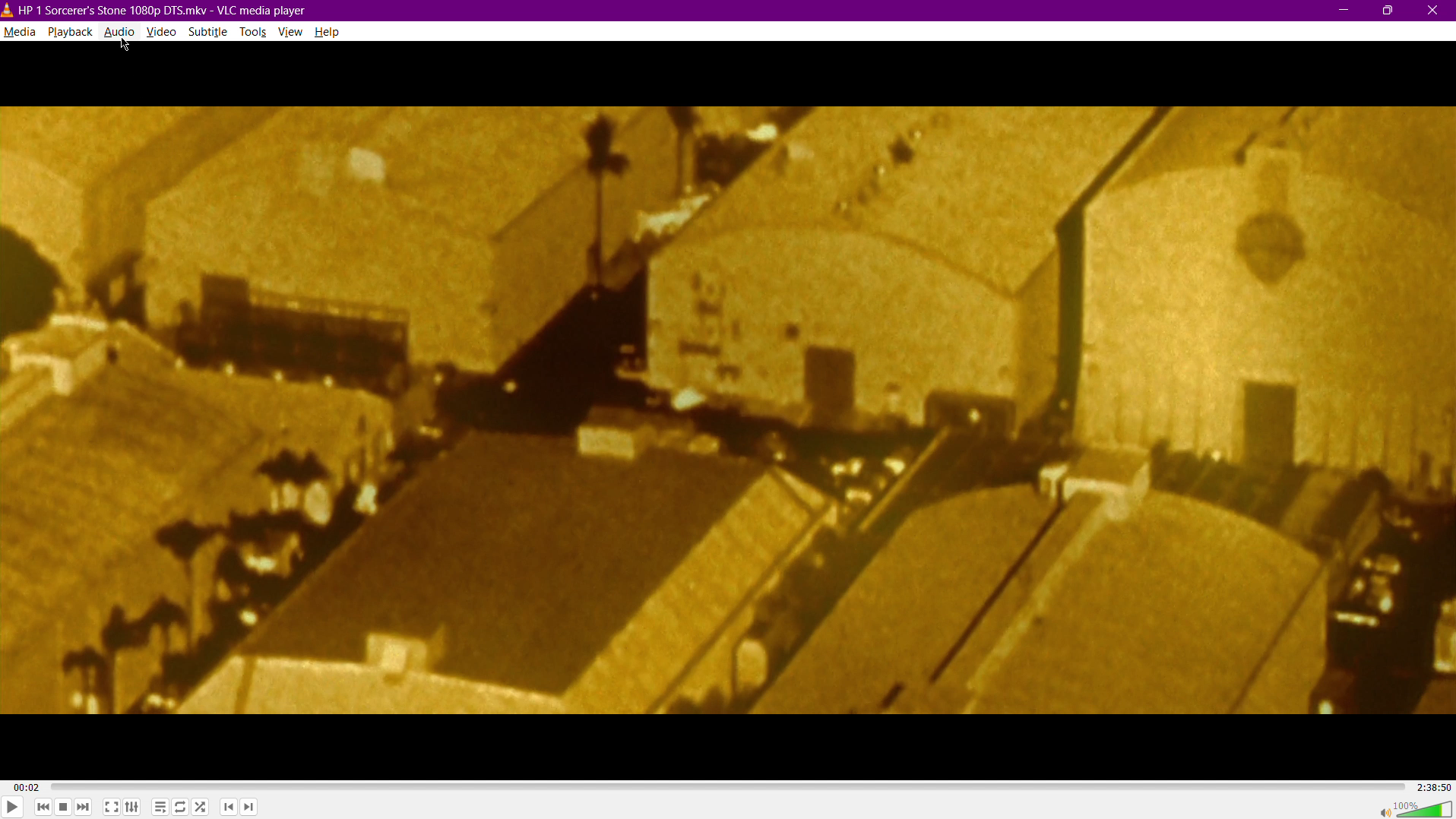 The height and width of the screenshot is (819, 1456). Describe the element at coordinates (726, 786) in the screenshot. I see `Timeline` at that location.